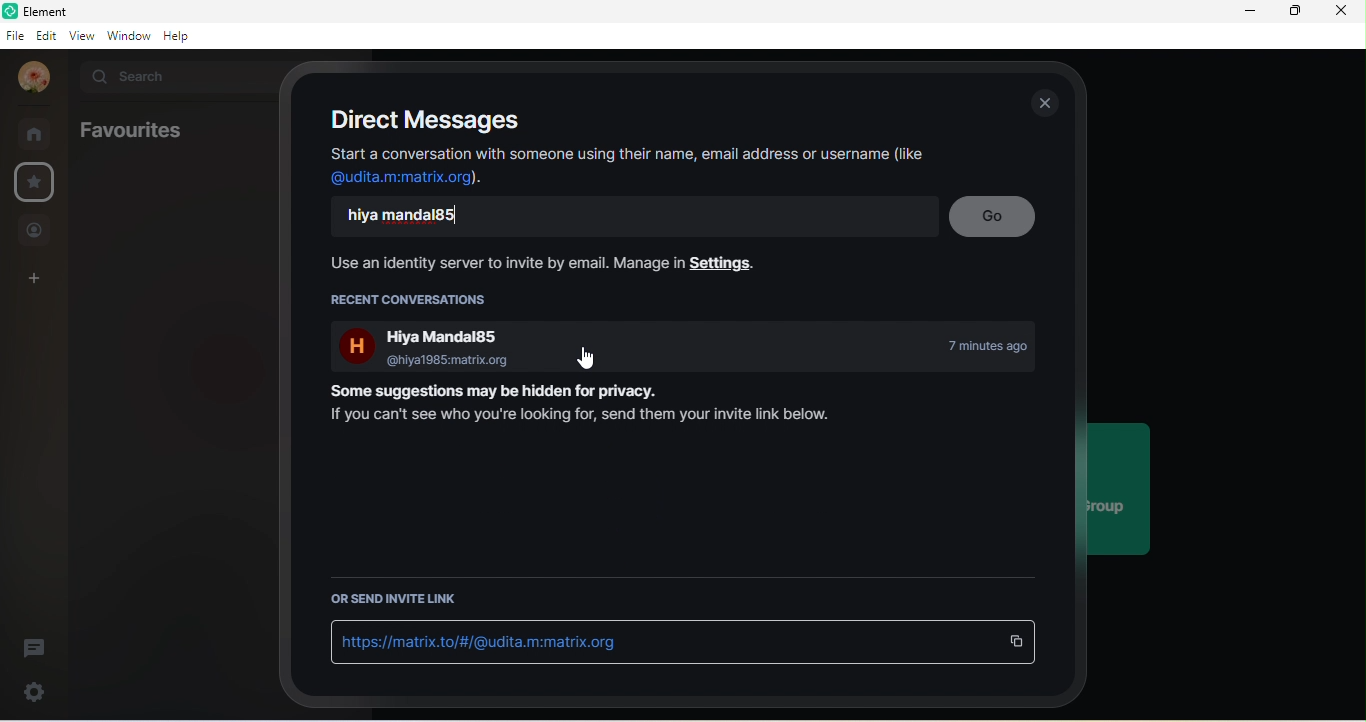  Describe the element at coordinates (36, 231) in the screenshot. I see `people` at that location.